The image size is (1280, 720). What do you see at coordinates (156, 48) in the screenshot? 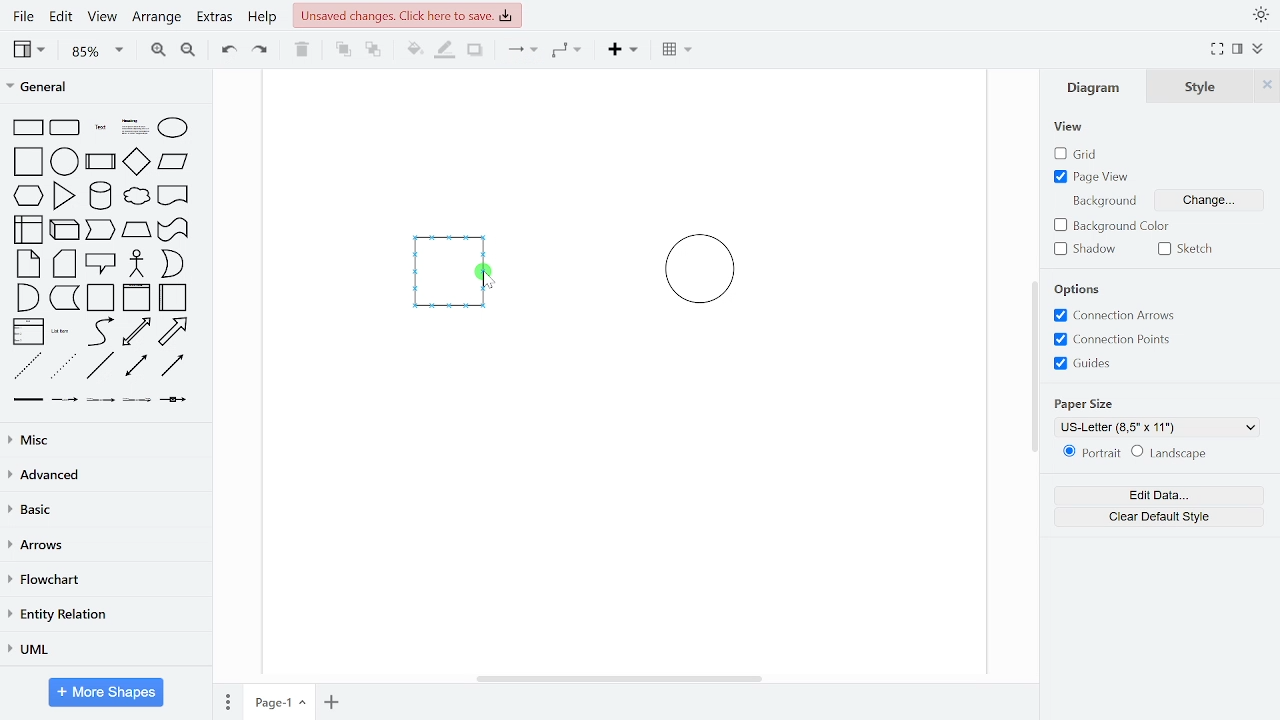
I see `zoom in` at bounding box center [156, 48].